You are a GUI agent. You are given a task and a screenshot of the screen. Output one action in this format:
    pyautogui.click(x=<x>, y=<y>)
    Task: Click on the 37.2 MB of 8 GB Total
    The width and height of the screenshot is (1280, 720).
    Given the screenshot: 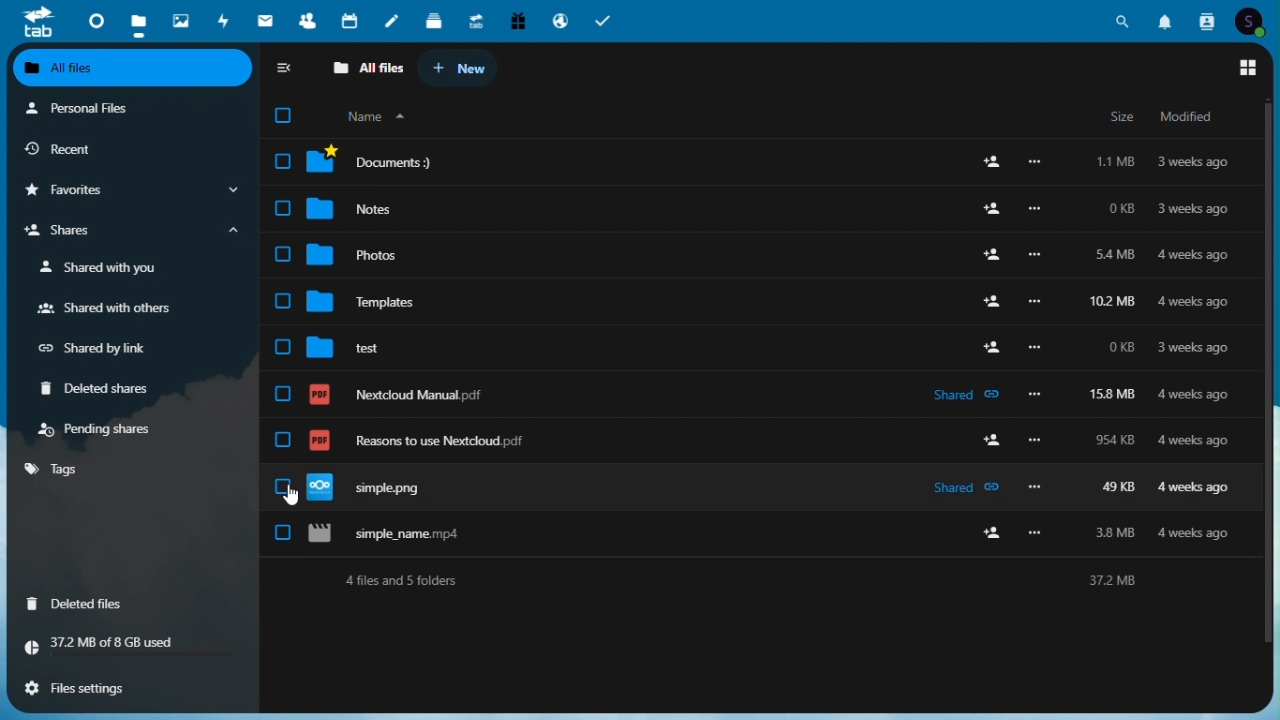 What is the action you would take?
    pyautogui.click(x=131, y=644)
    